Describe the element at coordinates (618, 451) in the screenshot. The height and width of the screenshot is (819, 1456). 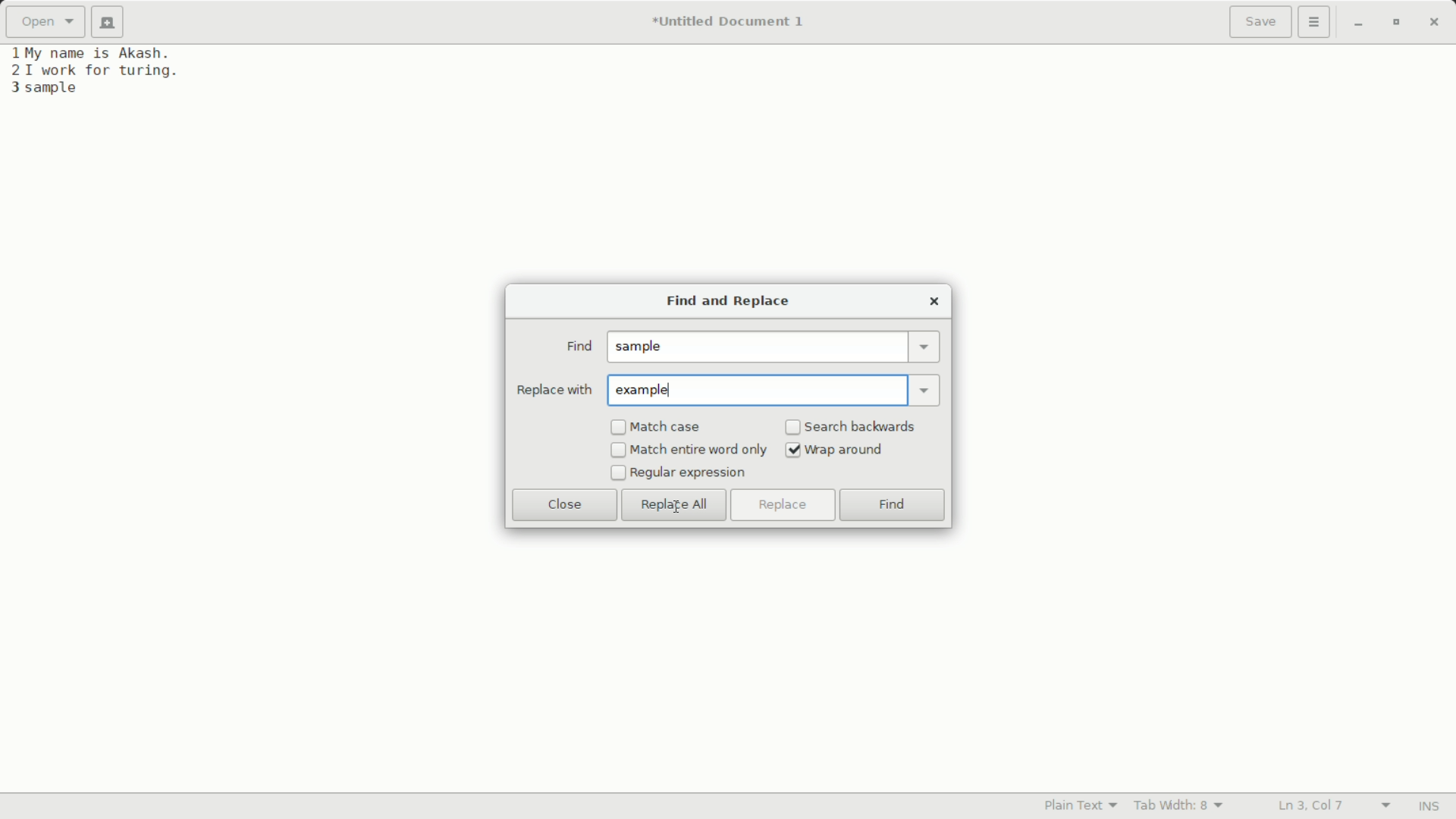
I see `checkbox` at that location.